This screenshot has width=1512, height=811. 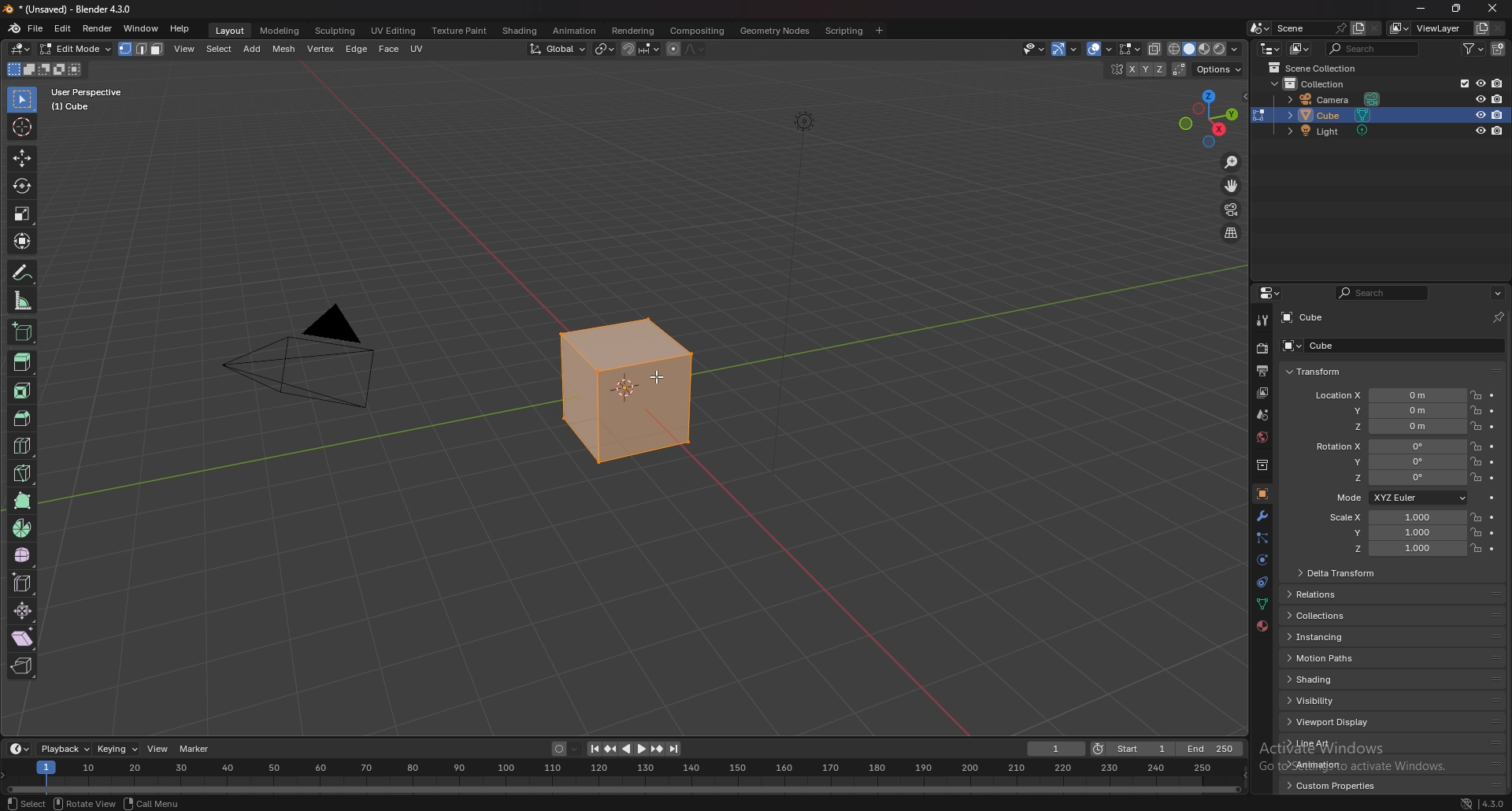 What do you see at coordinates (313, 352) in the screenshot?
I see `camera` at bounding box center [313, 352].